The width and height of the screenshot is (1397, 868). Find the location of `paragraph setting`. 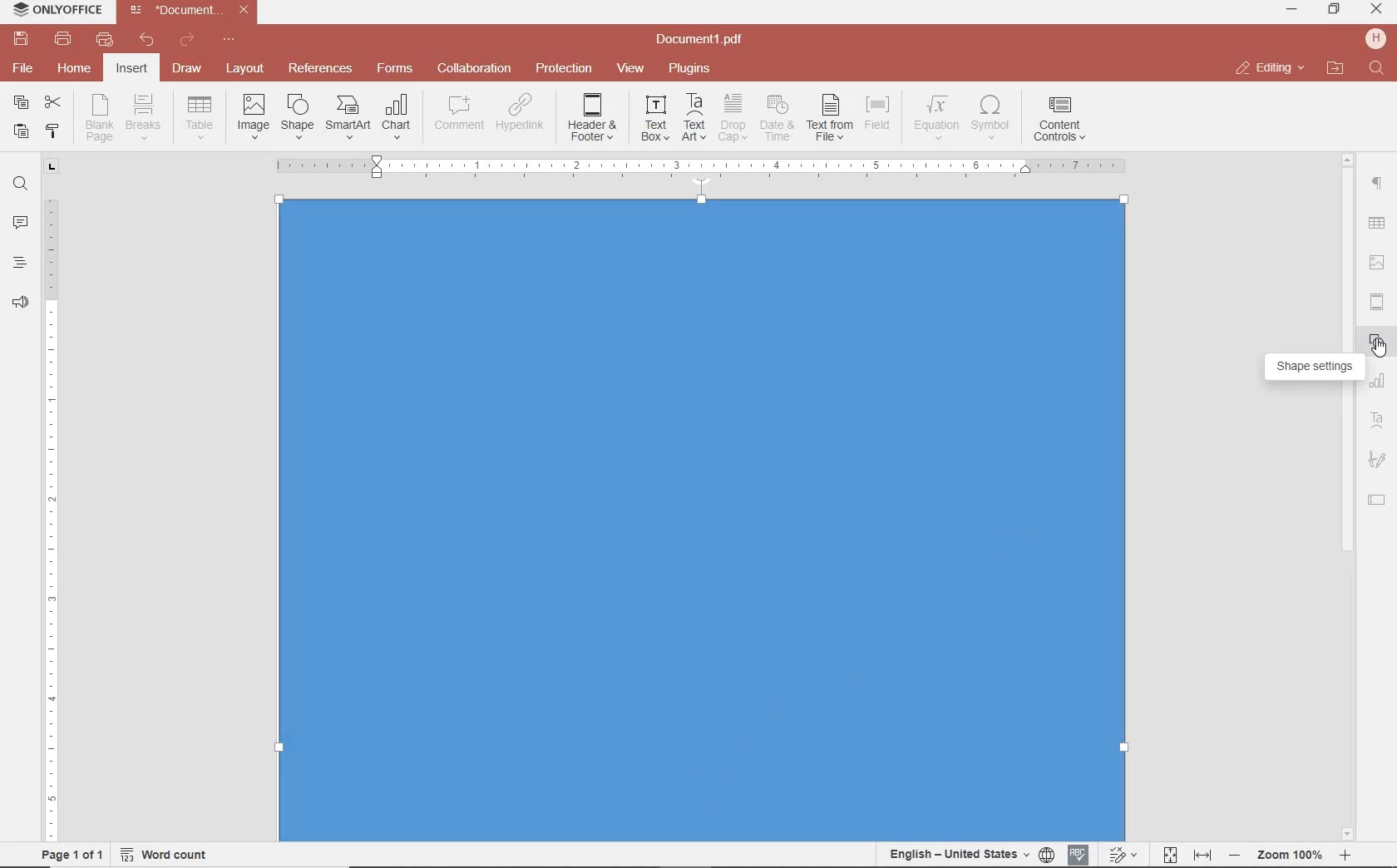

paragraph setting is located at coordinates (1378, 181).